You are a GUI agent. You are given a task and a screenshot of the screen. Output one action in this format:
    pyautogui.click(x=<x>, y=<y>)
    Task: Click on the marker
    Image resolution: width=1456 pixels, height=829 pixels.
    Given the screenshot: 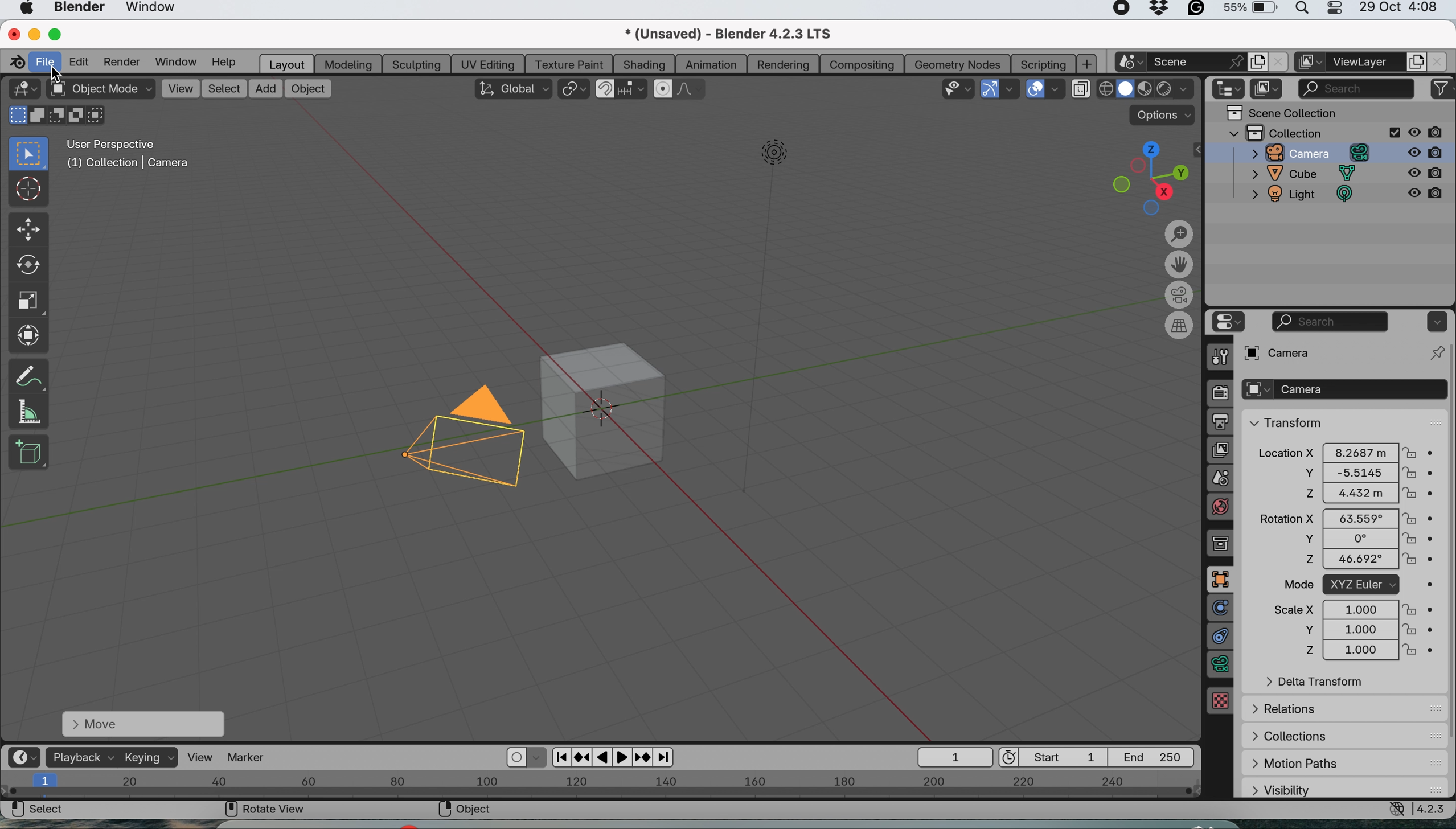 What is the action you would take?
    pyautogui.click(x=247, y=756)
    